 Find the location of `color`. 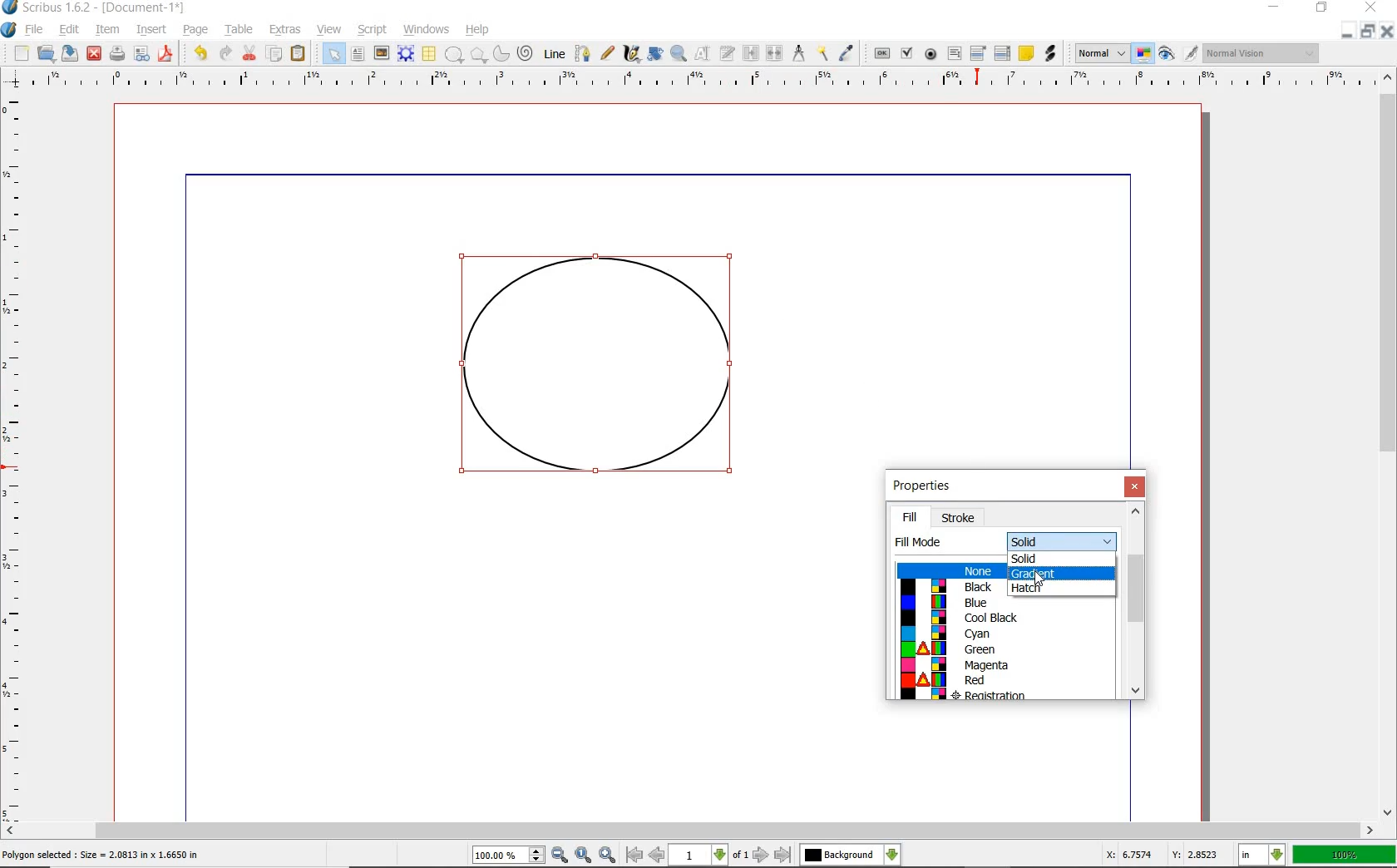

color is located at coordinates (945, 602).